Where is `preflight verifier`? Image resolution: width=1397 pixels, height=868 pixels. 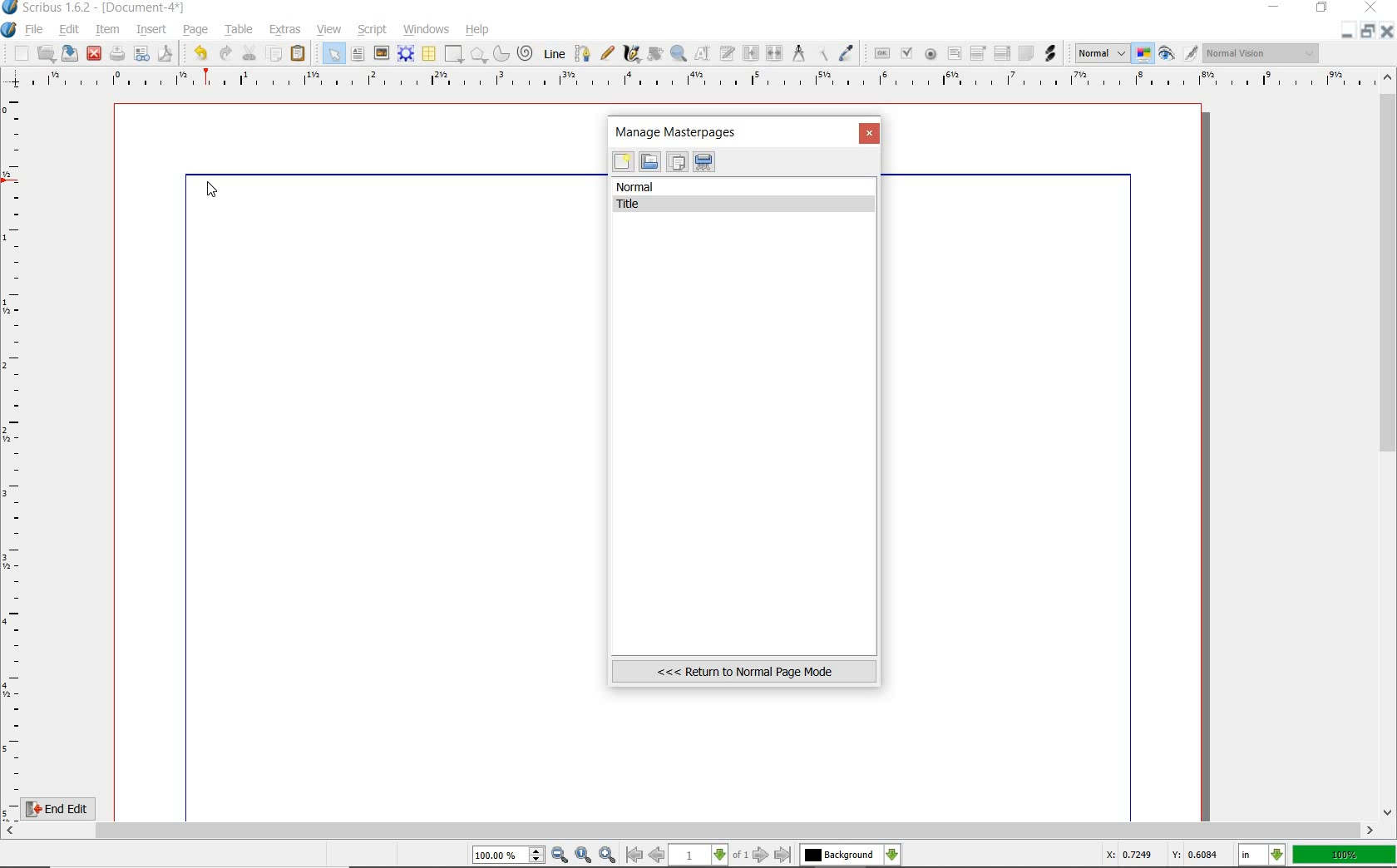
preflight verifier is located at coordinates (142, 55).